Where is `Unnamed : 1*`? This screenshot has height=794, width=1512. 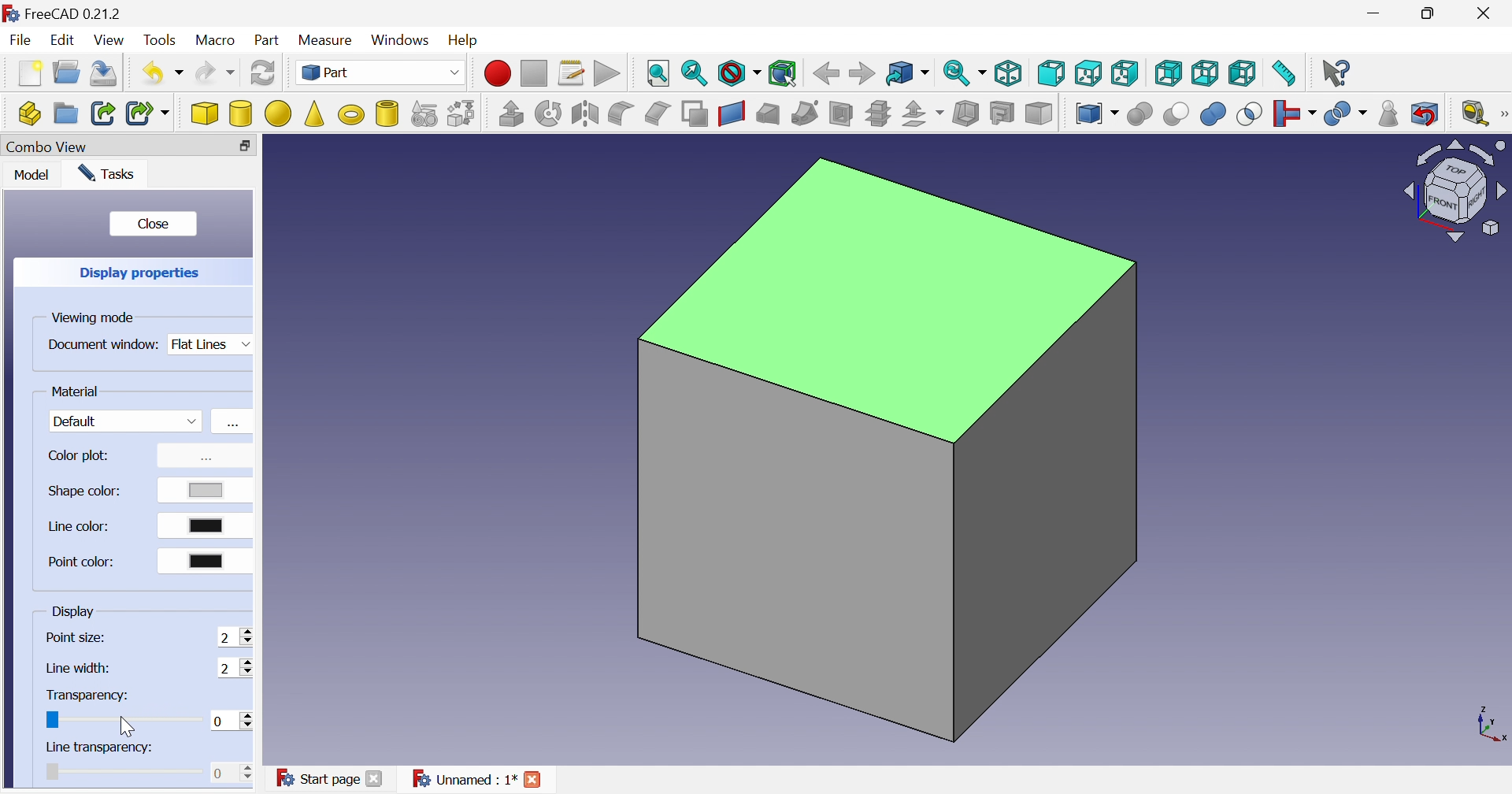 Unnamed : 1* is located at coordinates (463, 778).